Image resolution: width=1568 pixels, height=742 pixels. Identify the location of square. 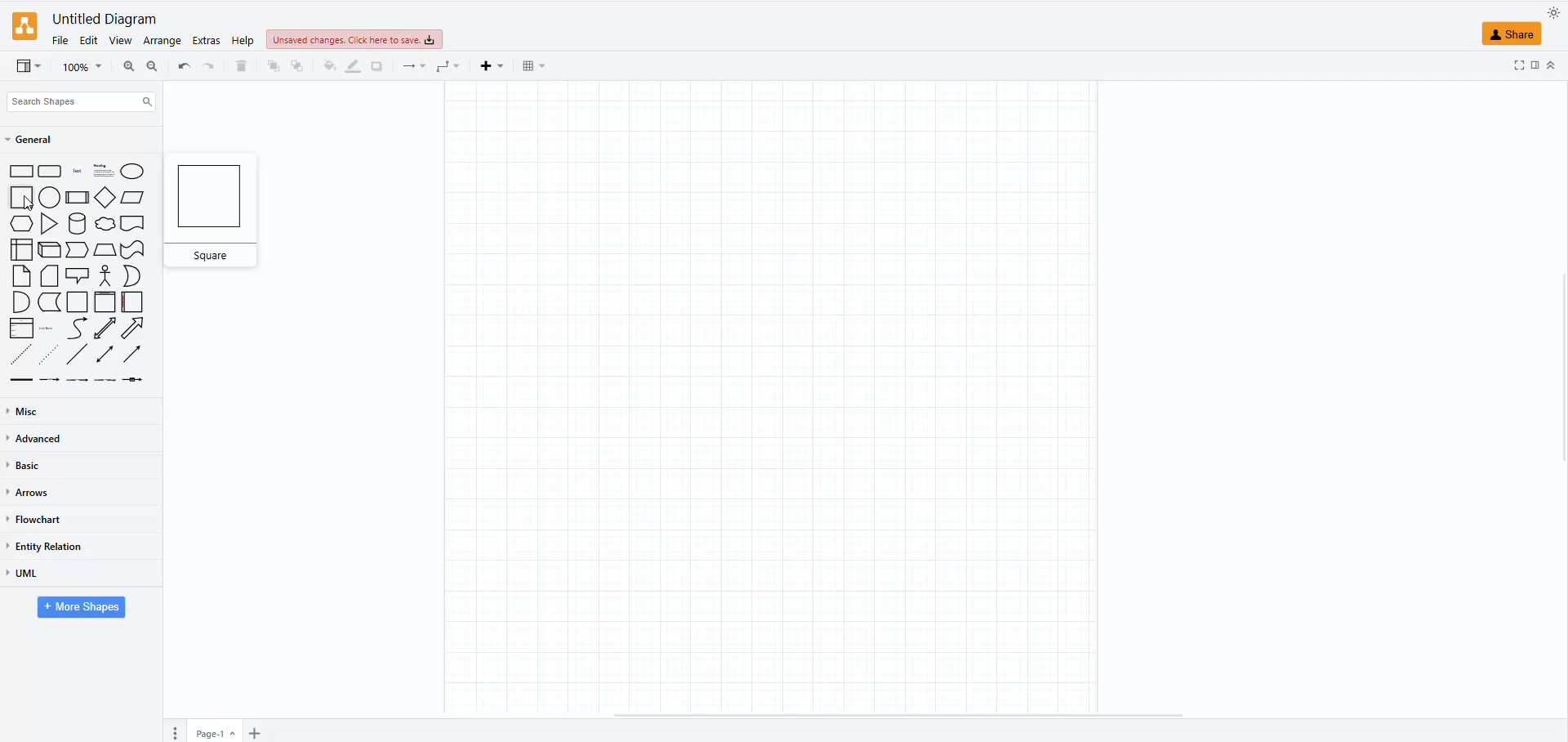
(217, 212).